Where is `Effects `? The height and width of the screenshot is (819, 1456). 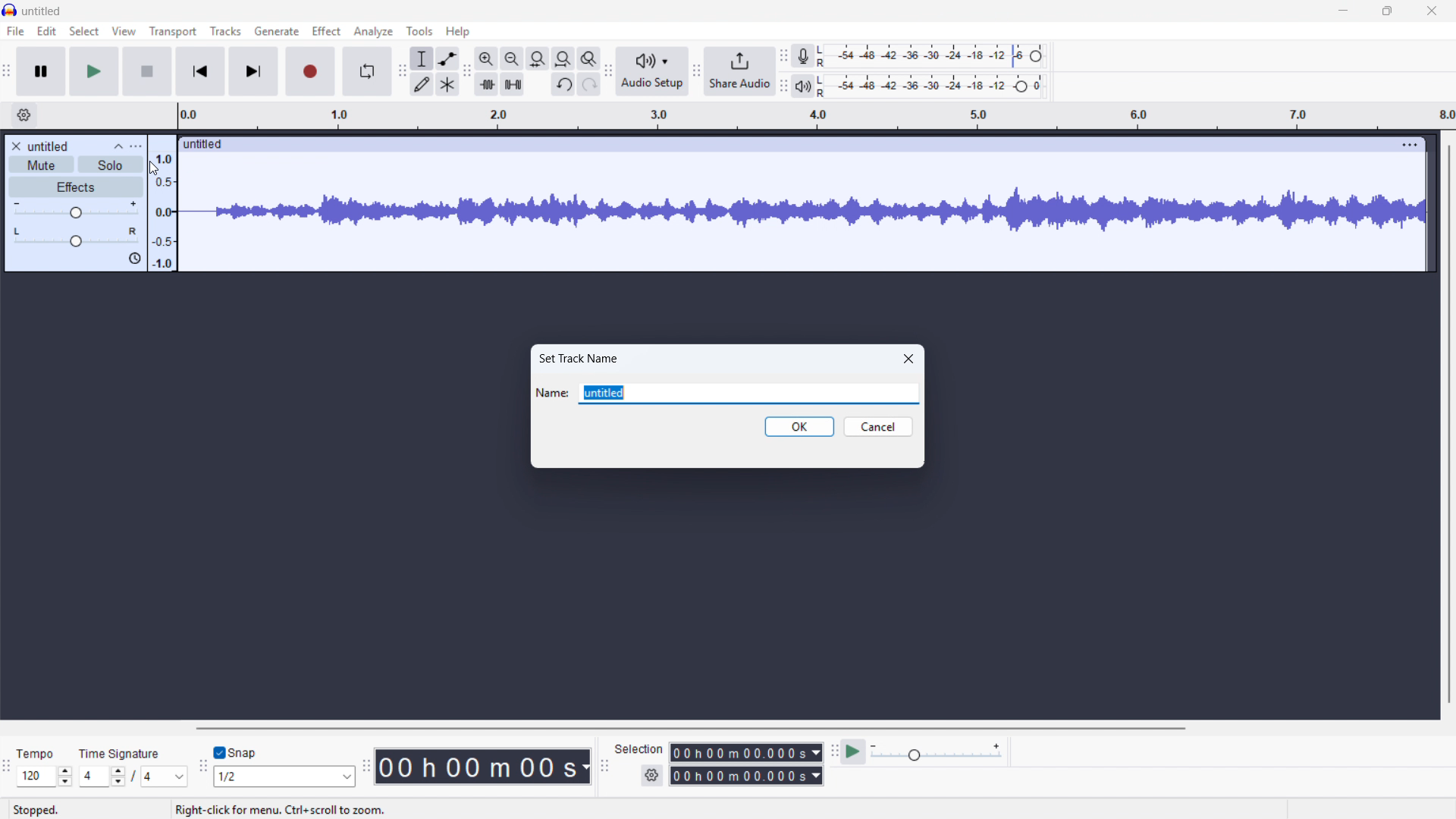
Effects  is located at coordinates (76, 187).